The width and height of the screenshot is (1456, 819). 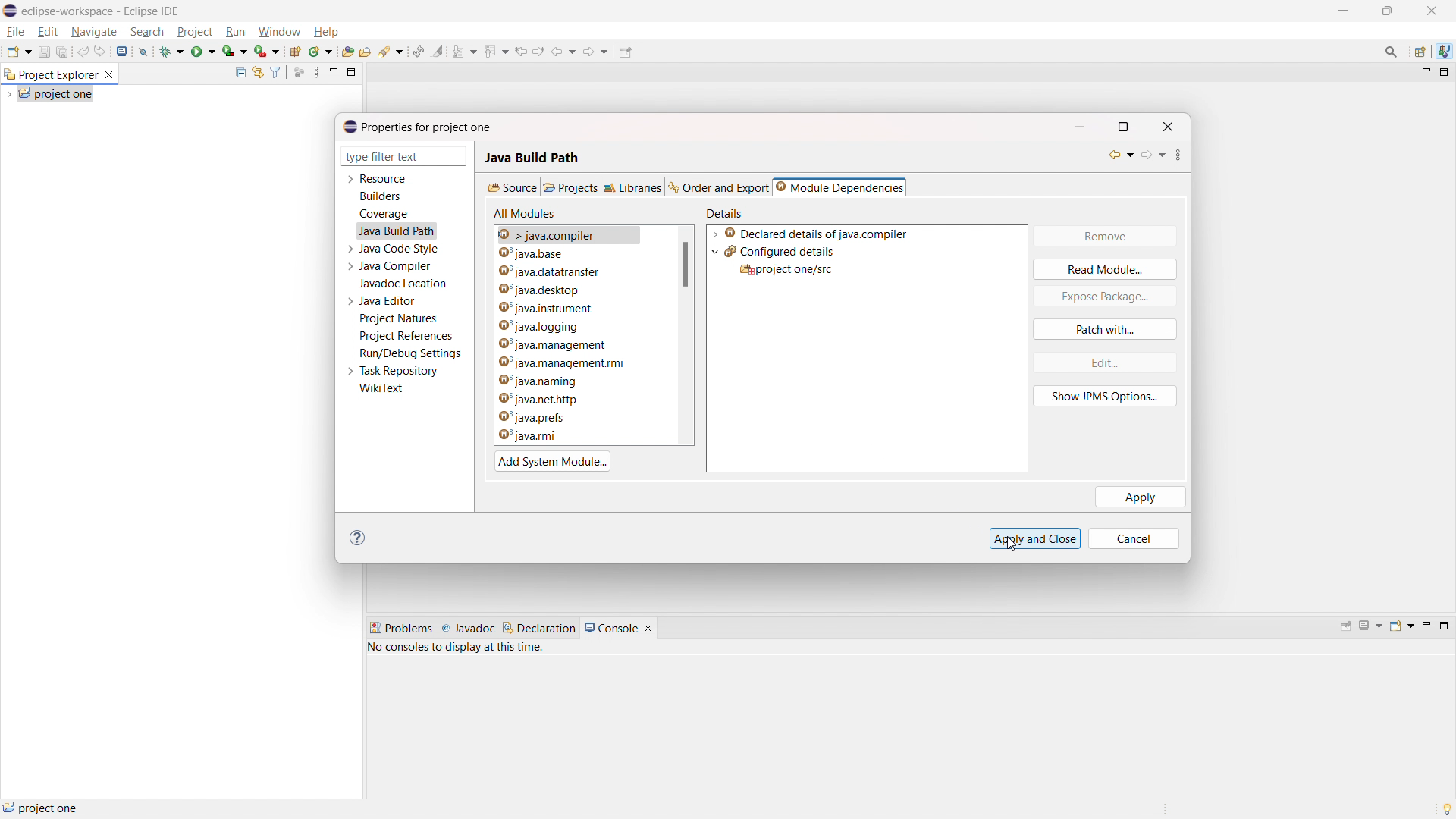 I want to click on tip of the day, so click(x=1447, y=808).